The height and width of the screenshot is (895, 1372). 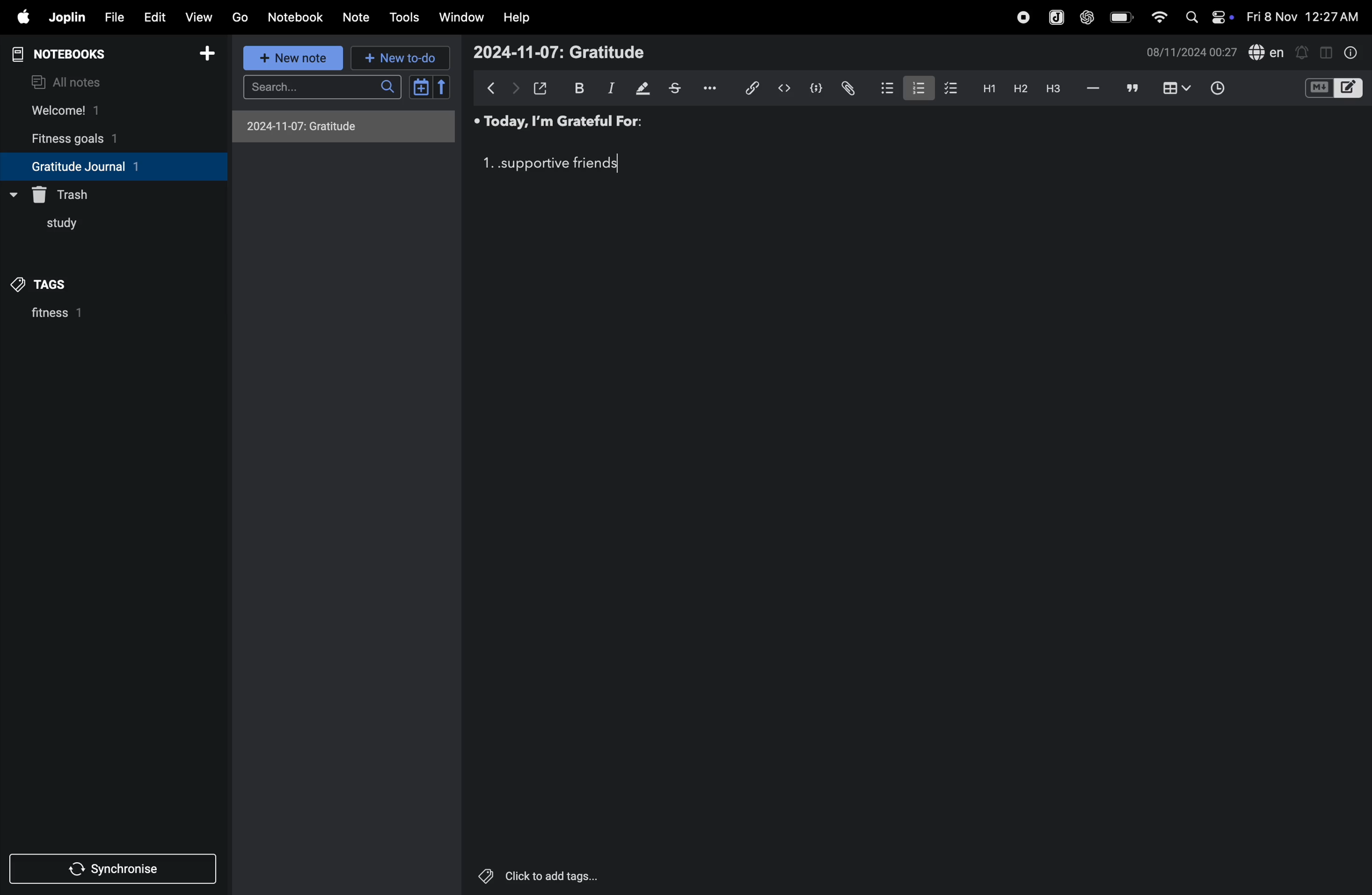 What do you see at coordinates (154, 18) in the screenshot?
I see `edit` at bounding box center [154, 18].